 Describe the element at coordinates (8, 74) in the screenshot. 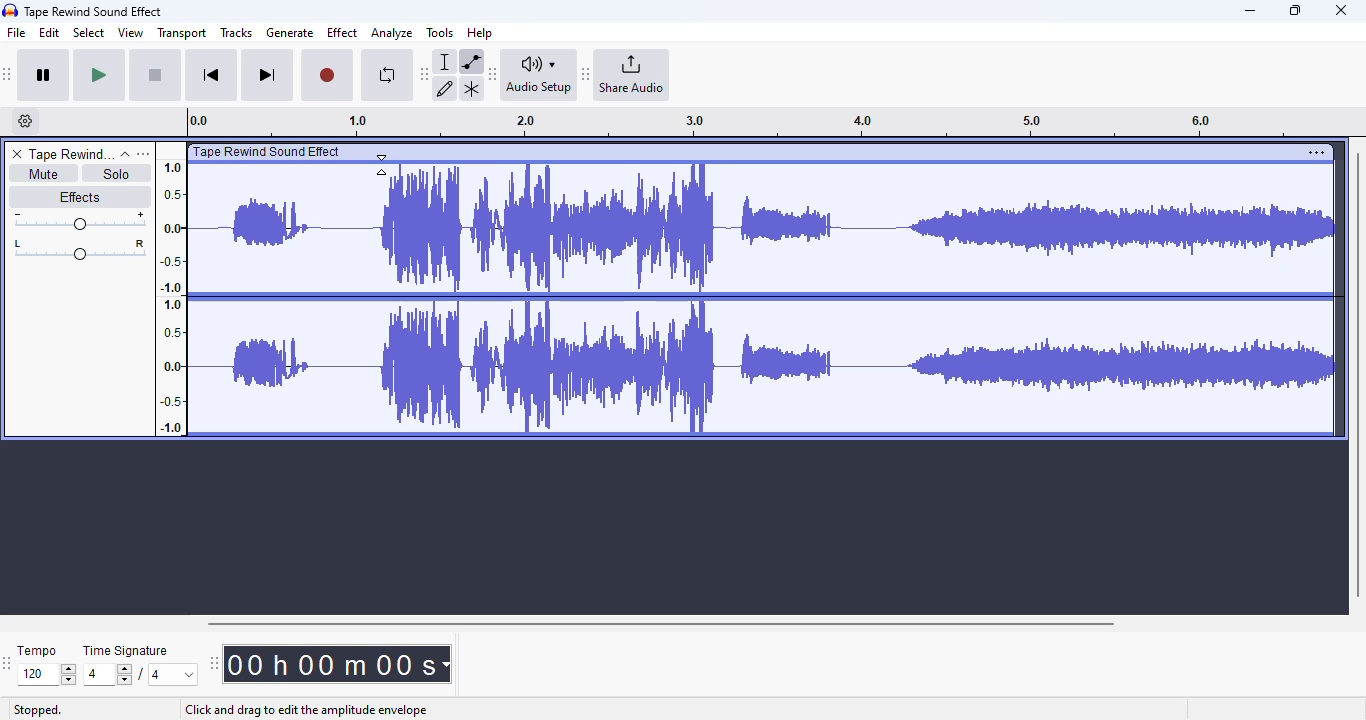

I see `Move audacity transport toolbar` at that location.